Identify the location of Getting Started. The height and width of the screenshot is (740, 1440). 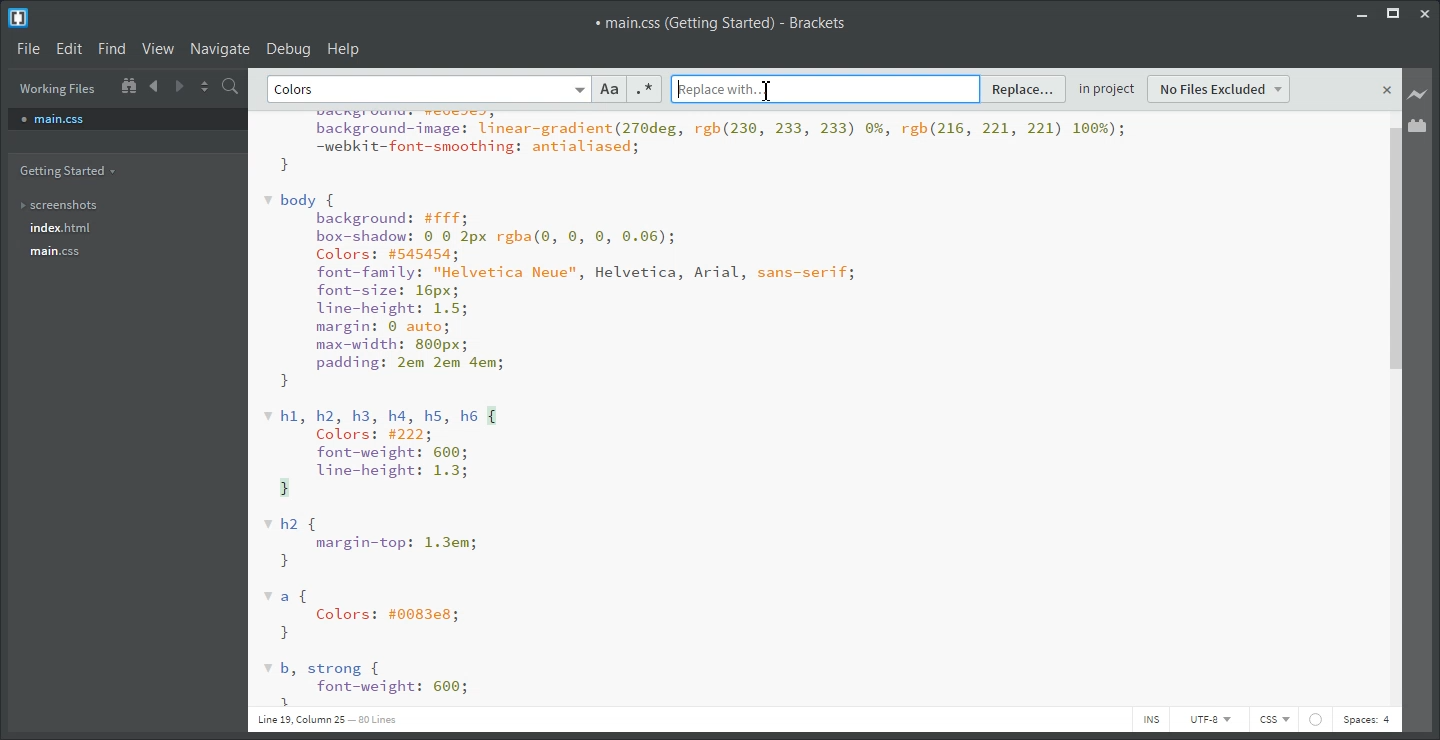
(72, 171).